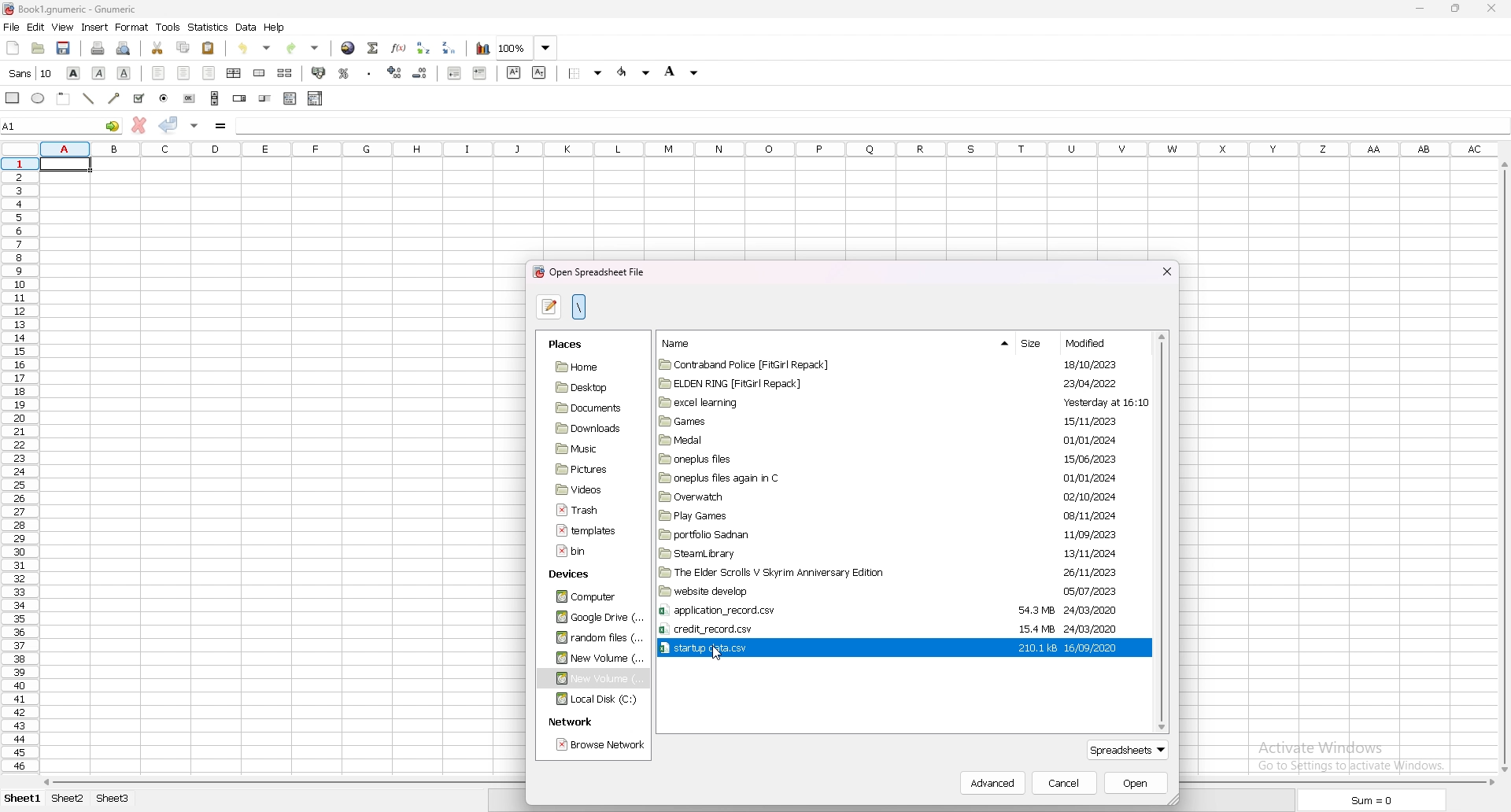  Describe the element at coordinates (1087, 534) in the screenshot. I see `11/09/2023` at that location.